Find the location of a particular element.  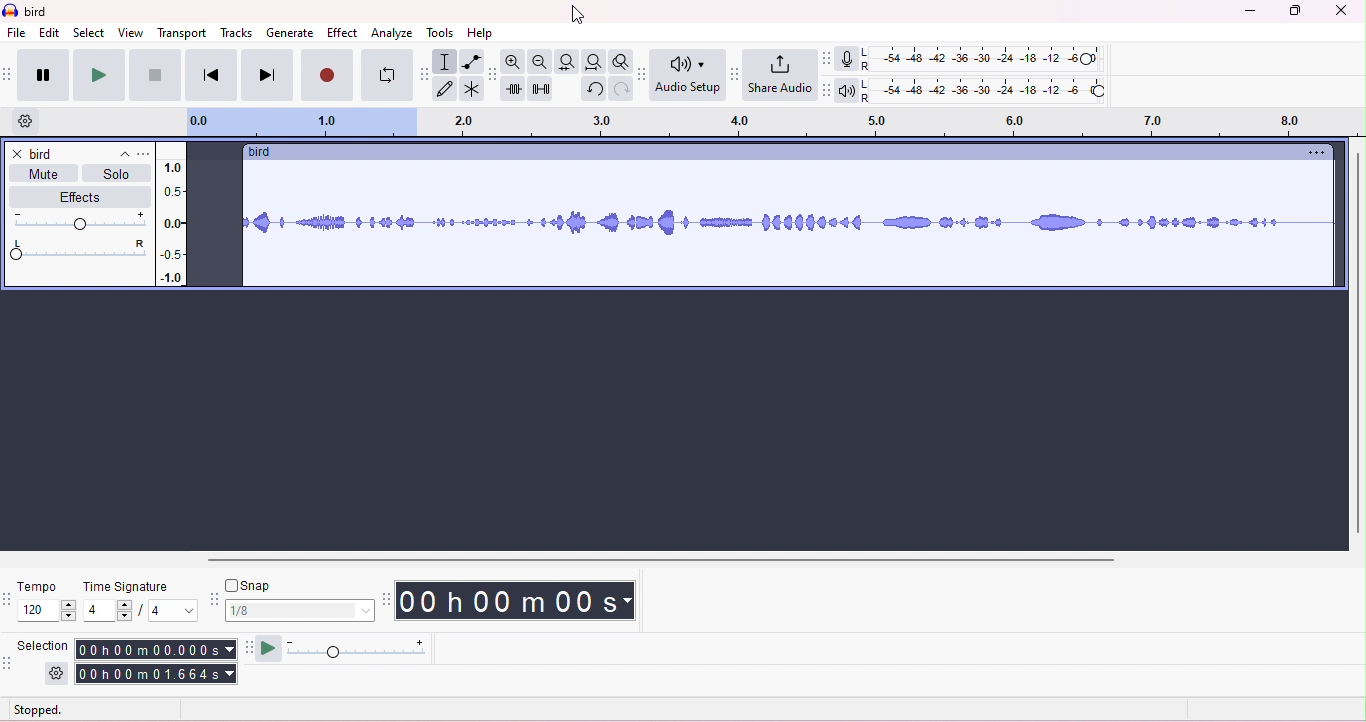

playback meter tool bar is located at coordinates (823, 58).